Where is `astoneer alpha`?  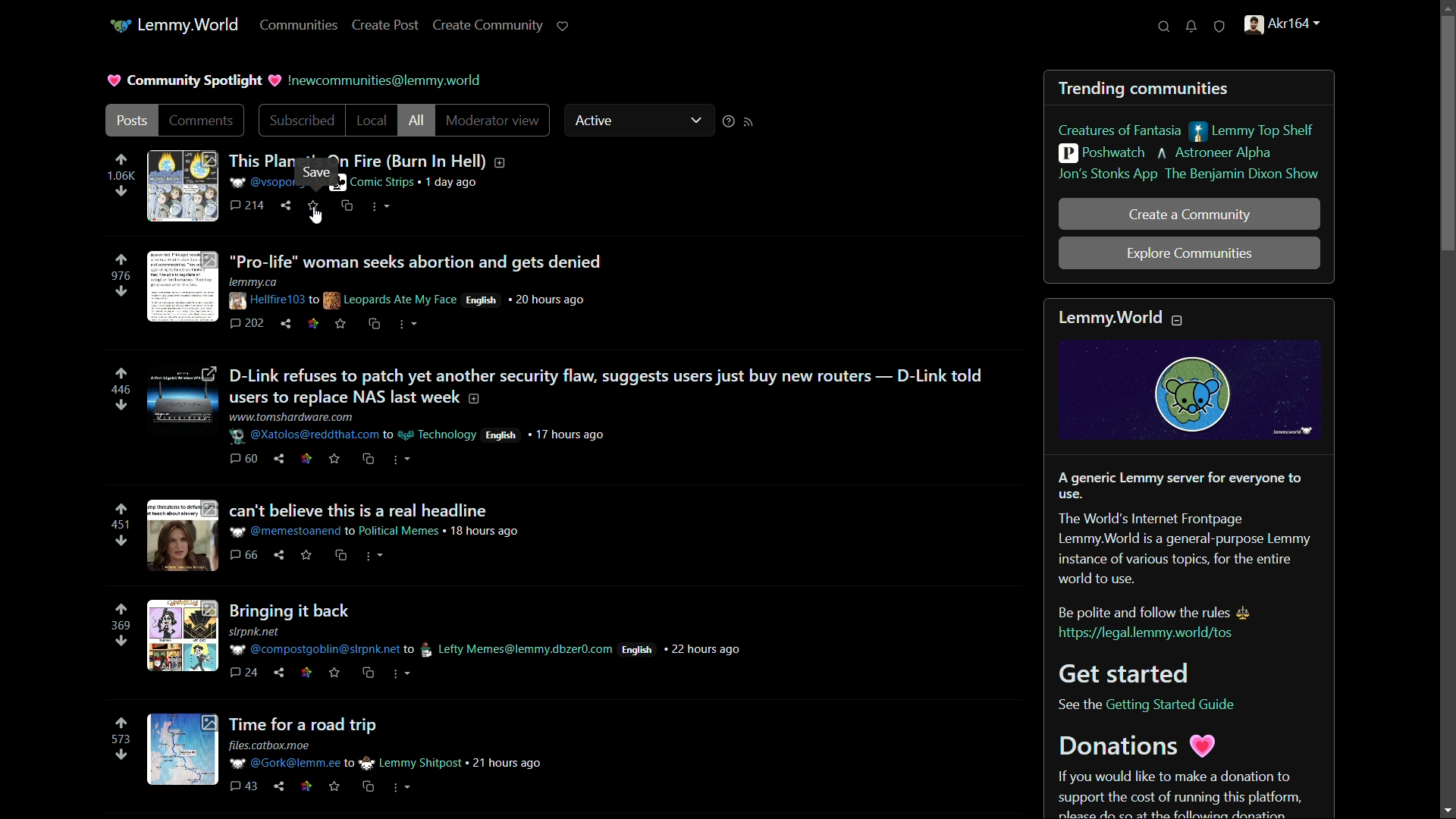 astoneer alpha is located at coordinates (1216, 153).